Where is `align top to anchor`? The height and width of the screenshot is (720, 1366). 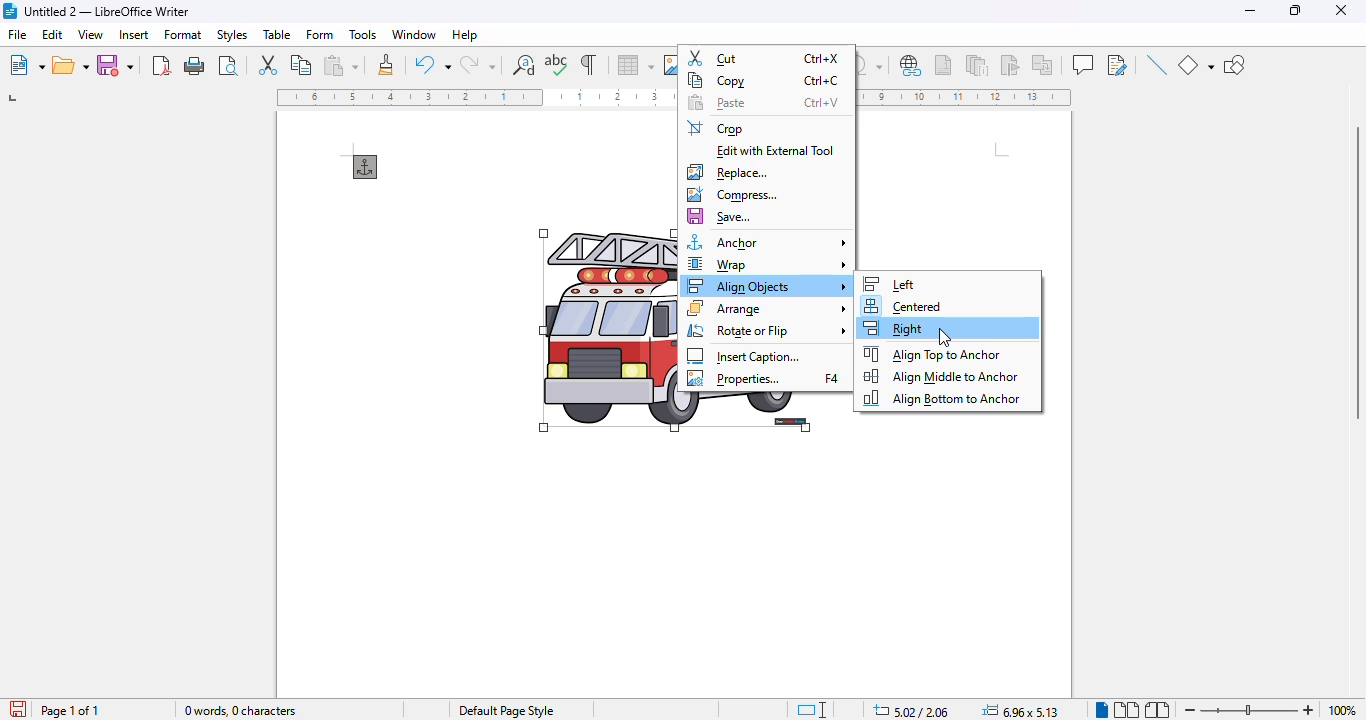 align top to anchor is located at coordinates (933, 353).